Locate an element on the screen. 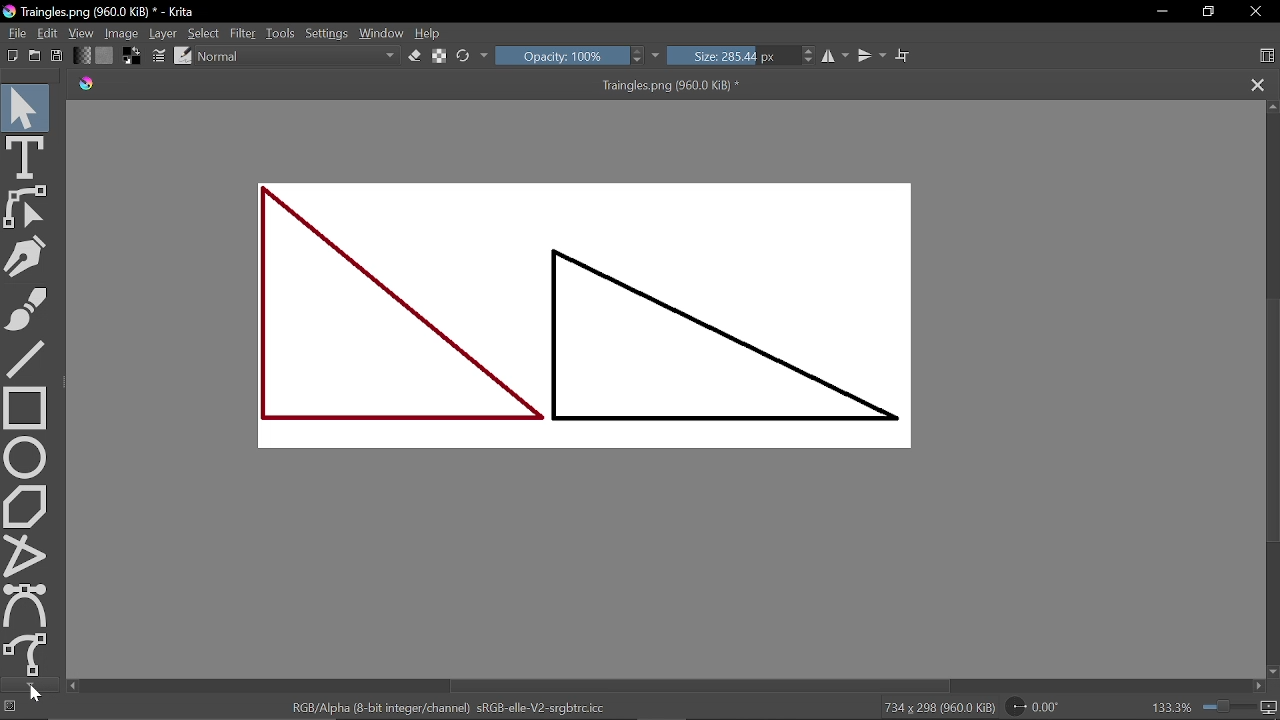 This screenshot has height=720, width=1280. Filter is located at coordinates (242, 32).